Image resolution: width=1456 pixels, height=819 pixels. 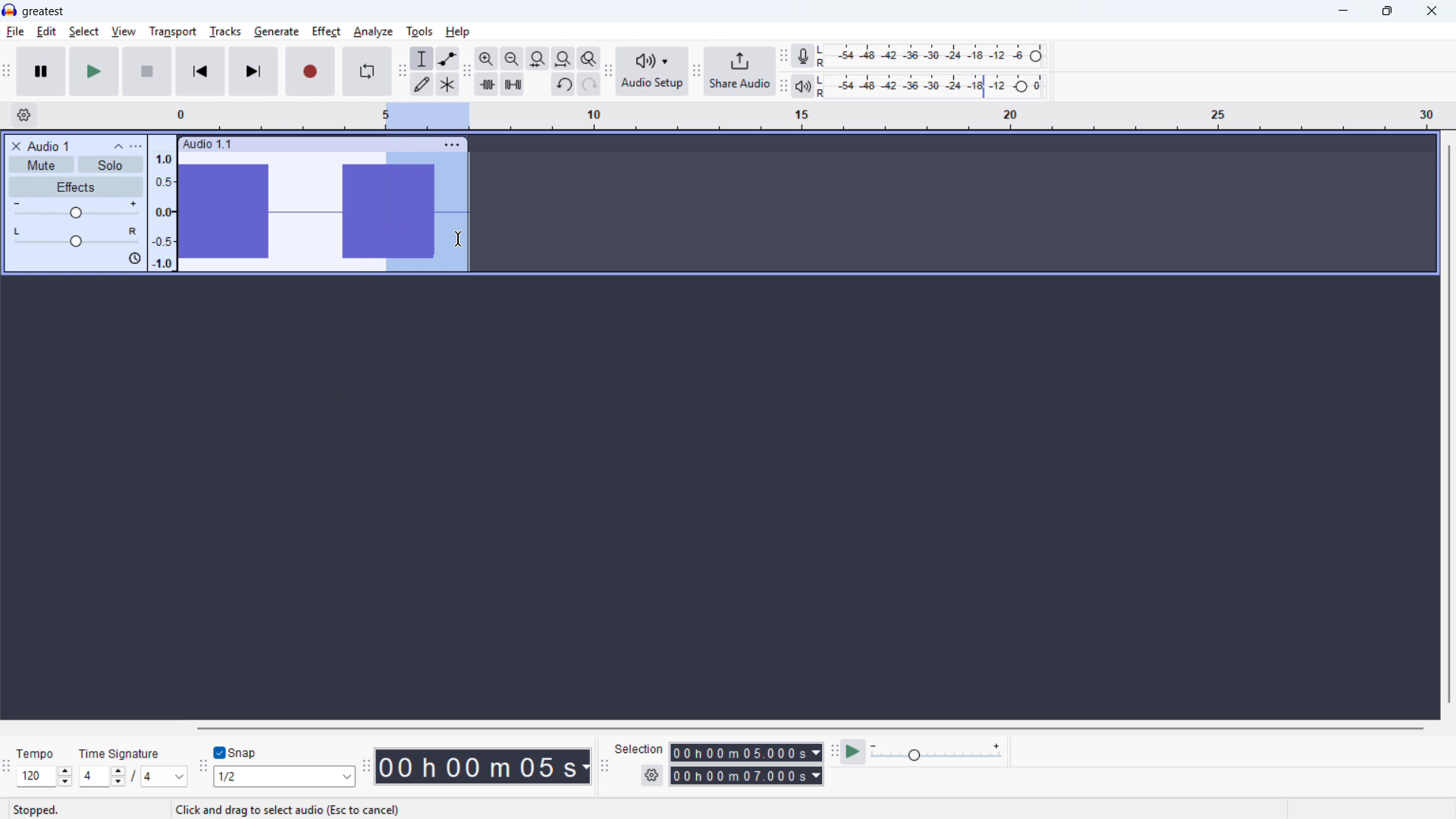 What do you see at coordinates (935, 86) in the screenshot?
I see `Playback level ` at bounding box center [935, 86].